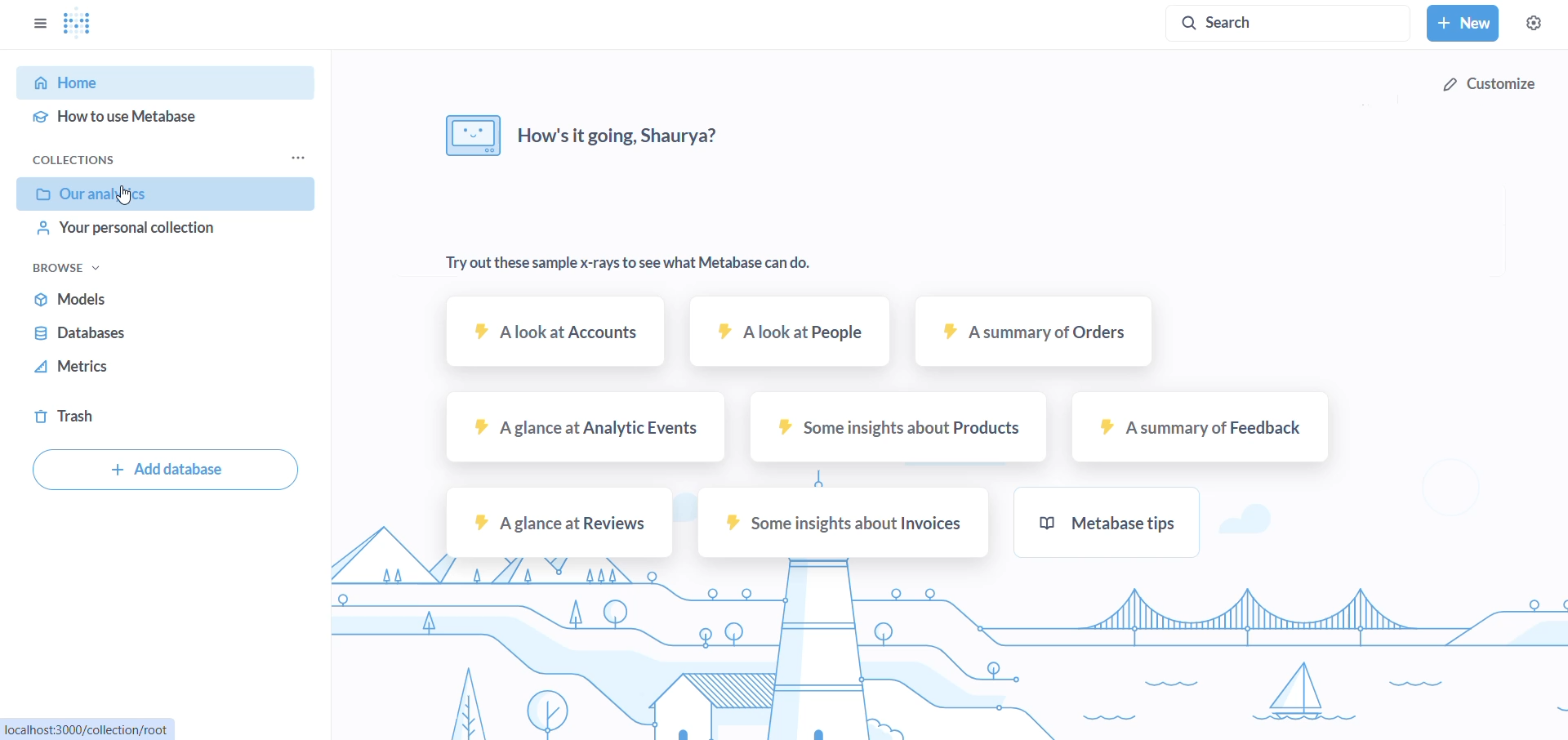  Describe the element at coordinates (151, 82) in the screenshot. I see `home` at that location.